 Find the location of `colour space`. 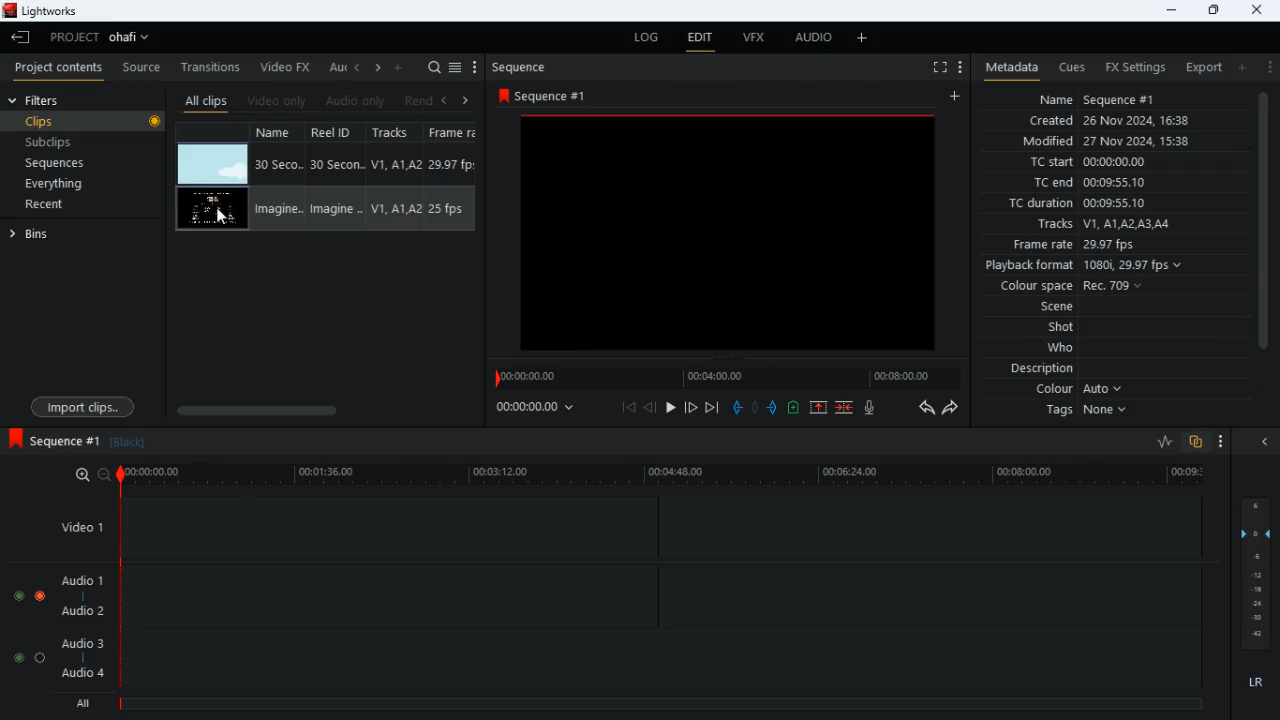

colour space is located at coordinates (1073, 286).